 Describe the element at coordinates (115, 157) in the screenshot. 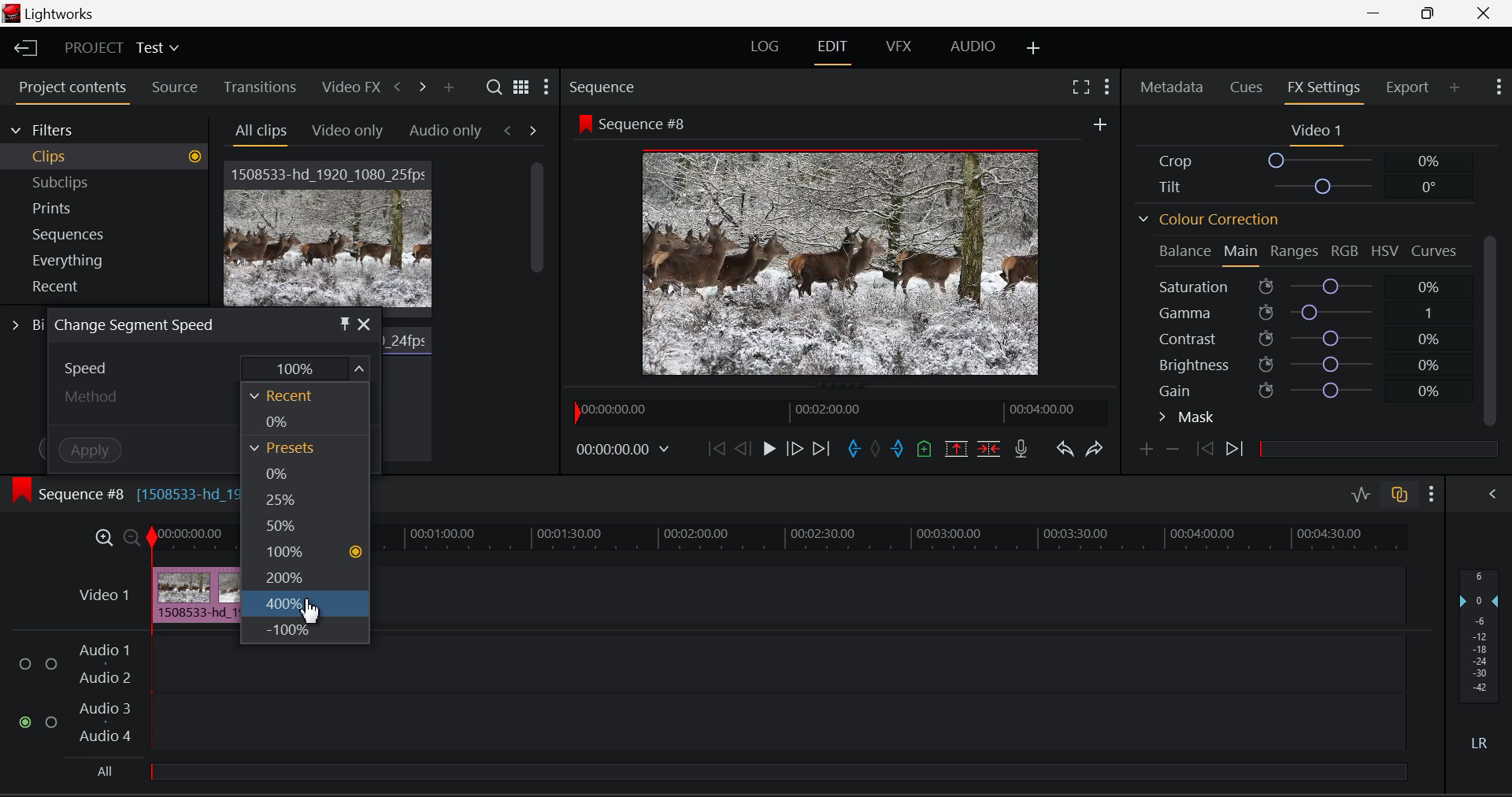

I see `Clips filter Selected` at that location.